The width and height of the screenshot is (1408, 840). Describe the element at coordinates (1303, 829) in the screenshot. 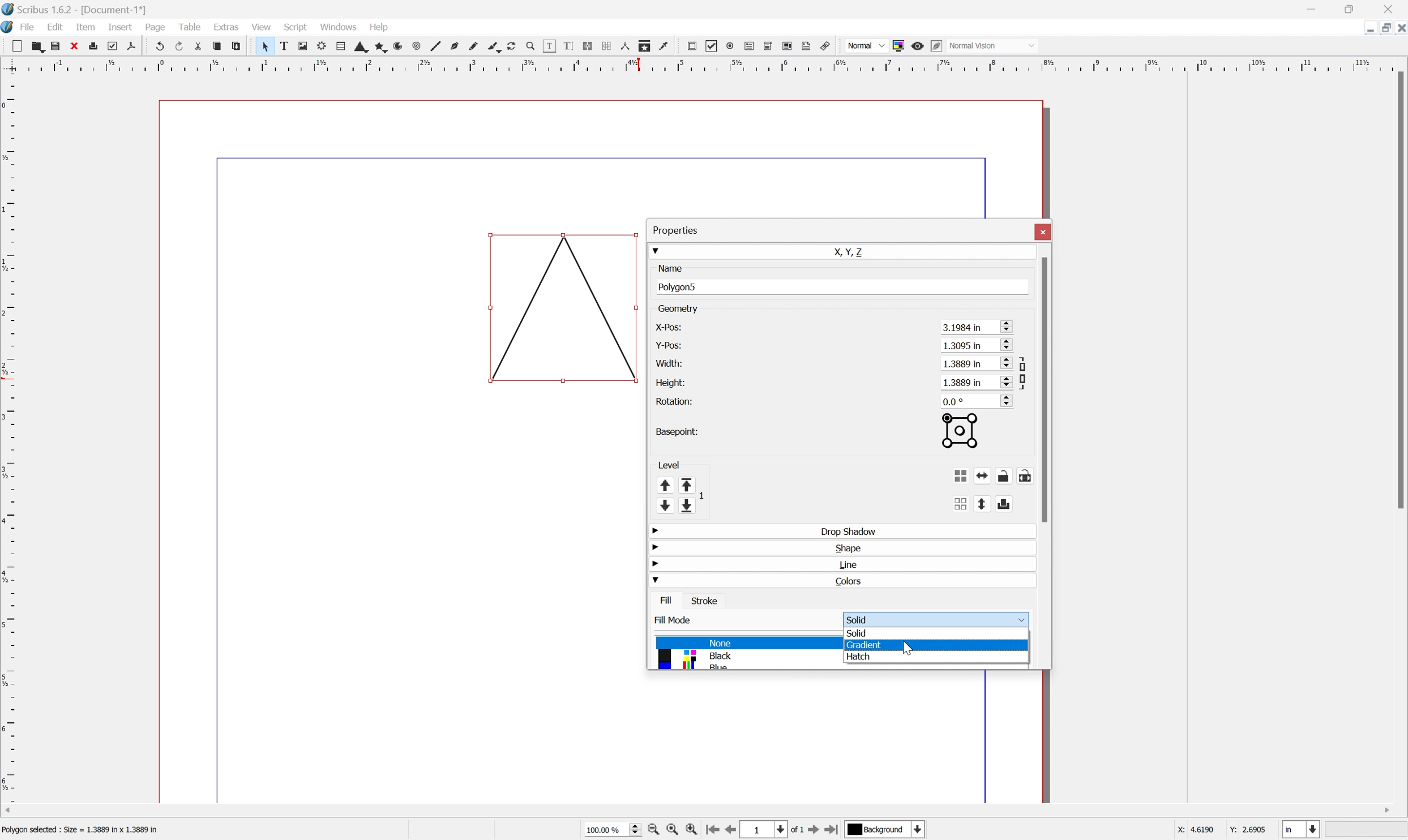

I see `Select current unit` at that location.